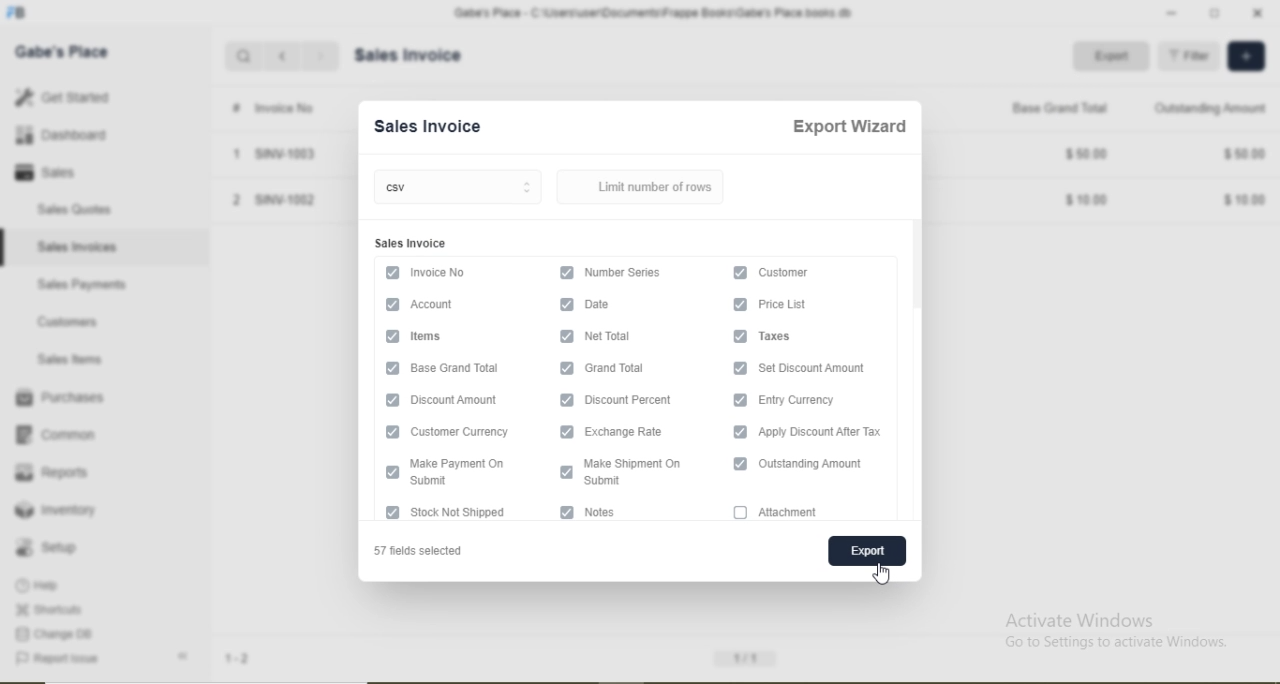  Describe the element at coordinates (565, 430) in the screenshot. I see `checkbox` at that location.